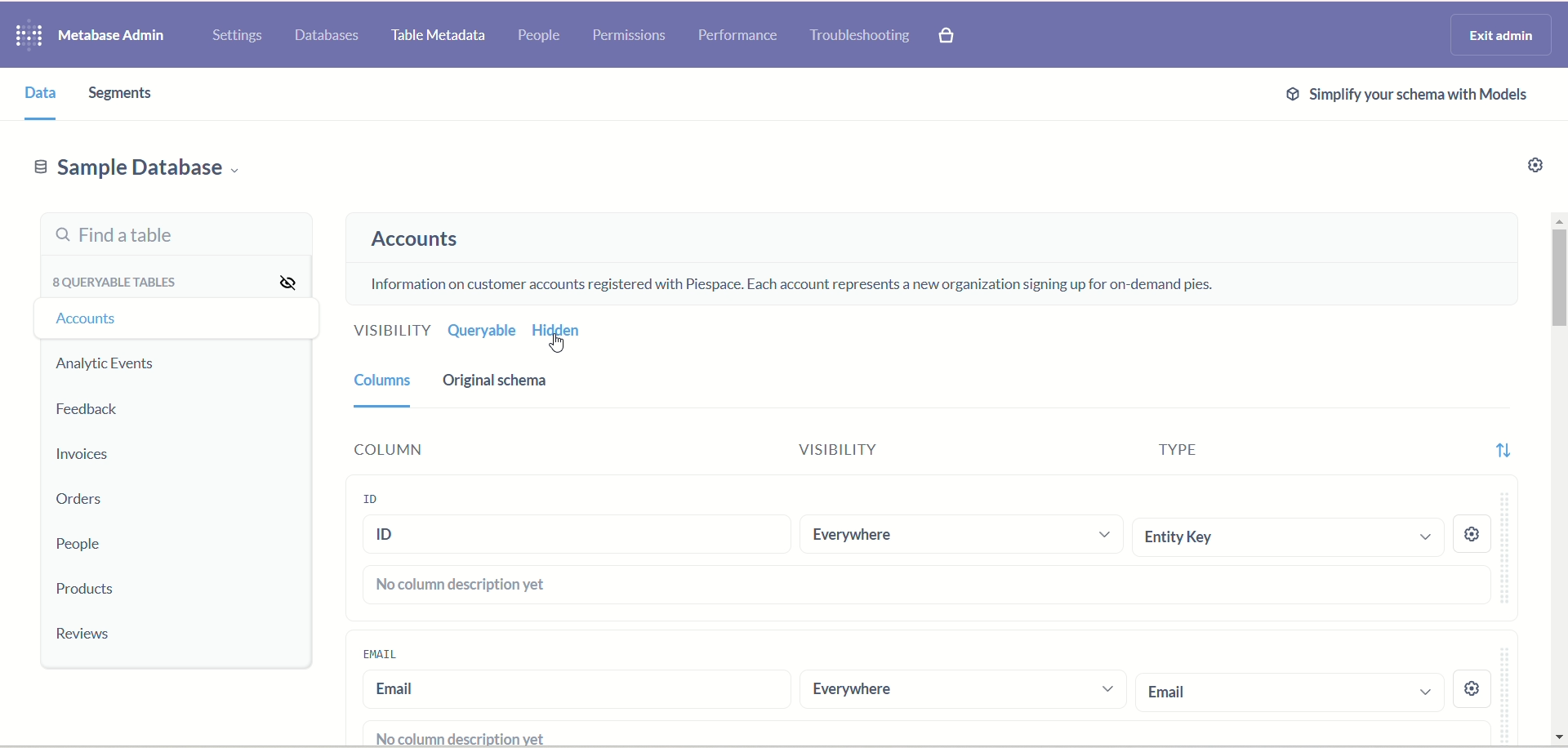 This screenshot has height=748, width=1568. I want to click on vertical scroll bar, so click(1558, 474).